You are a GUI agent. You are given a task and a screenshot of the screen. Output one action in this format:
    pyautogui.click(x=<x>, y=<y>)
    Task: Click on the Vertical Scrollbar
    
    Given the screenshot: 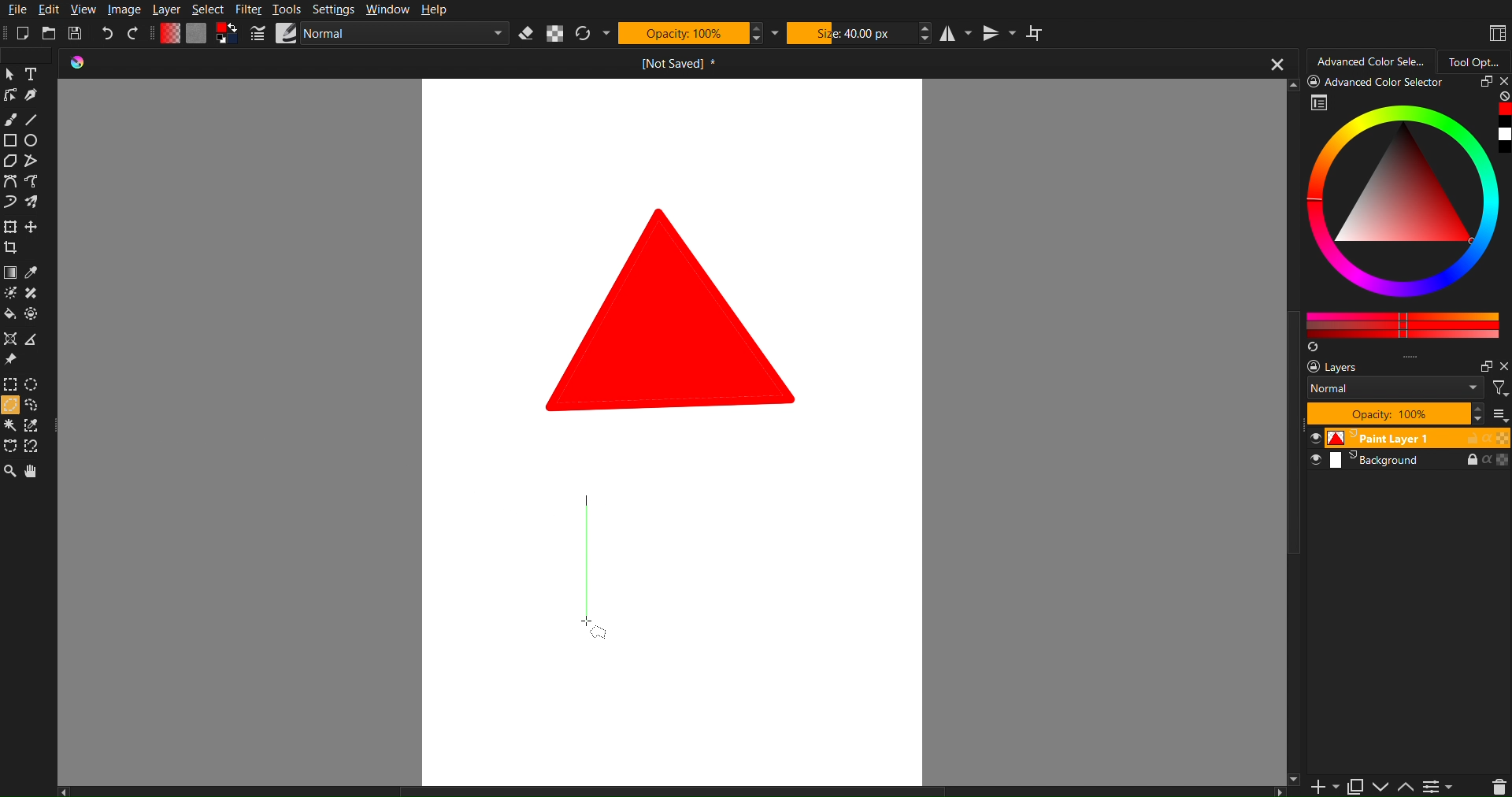 What is the action you would take?
    pyautogui.click(x=1295, y=617)
    